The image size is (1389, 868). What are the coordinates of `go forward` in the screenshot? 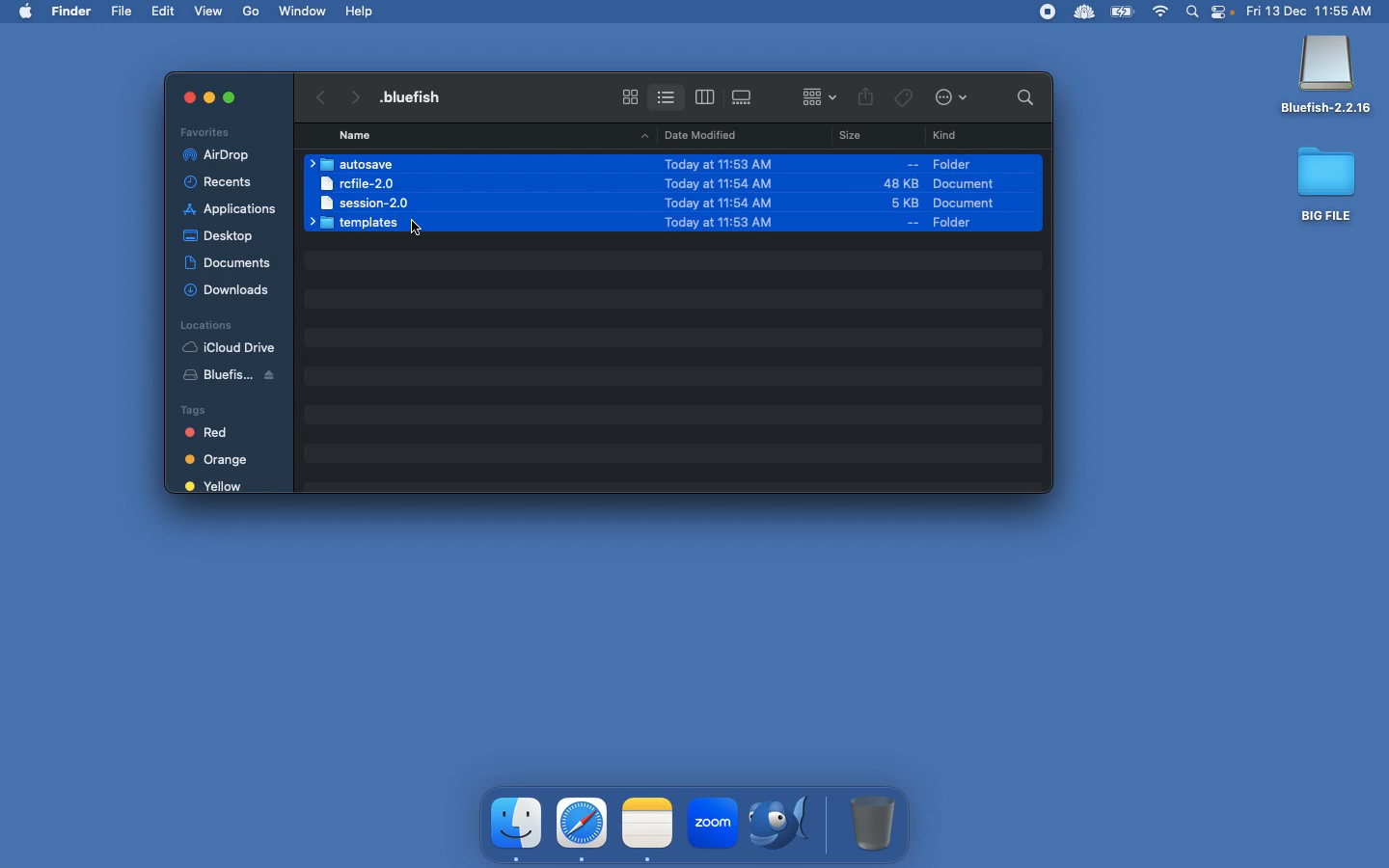 It's located at (353, 94).